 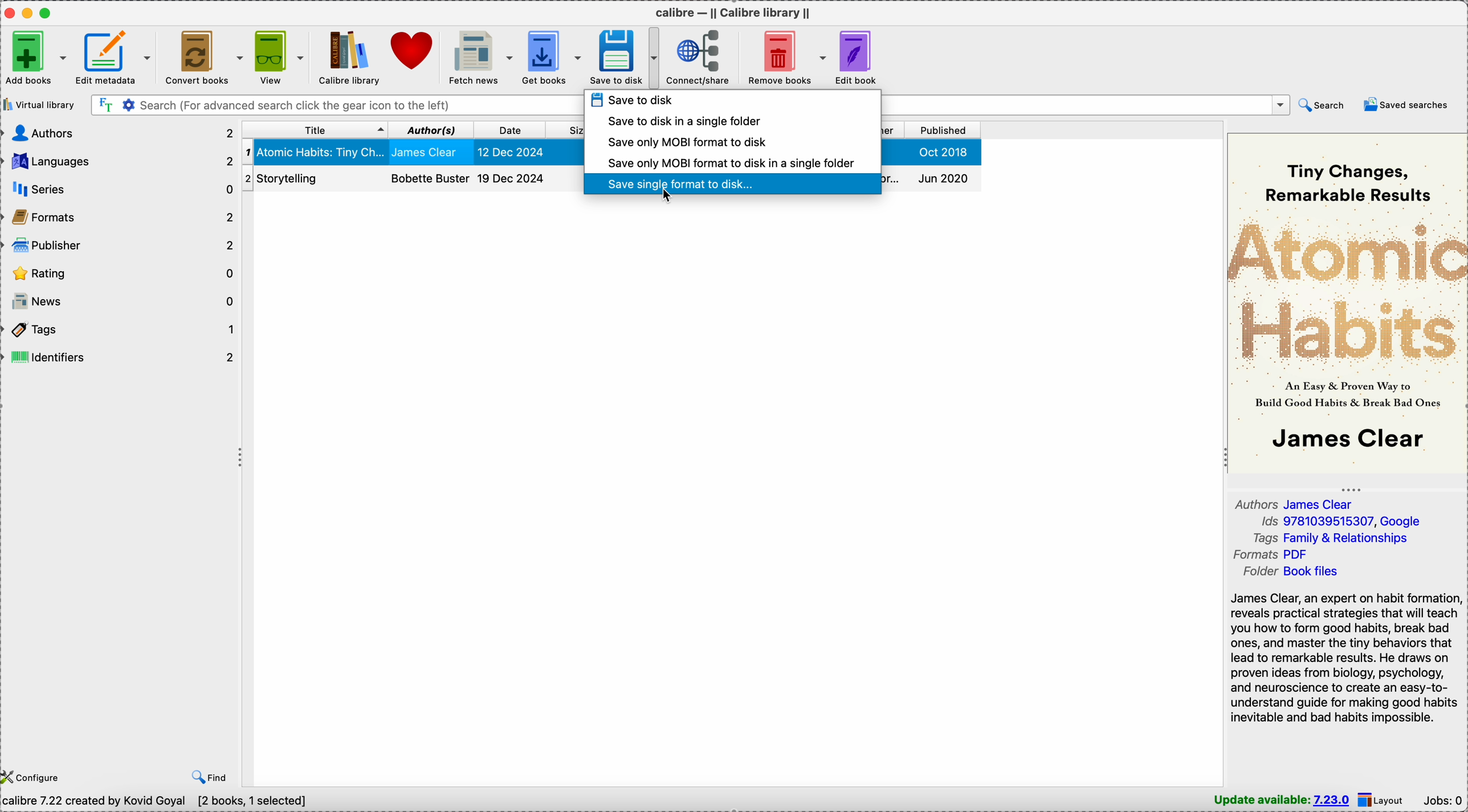 I want to click on tags Family & Relationships, so click(x=1331, y=537).